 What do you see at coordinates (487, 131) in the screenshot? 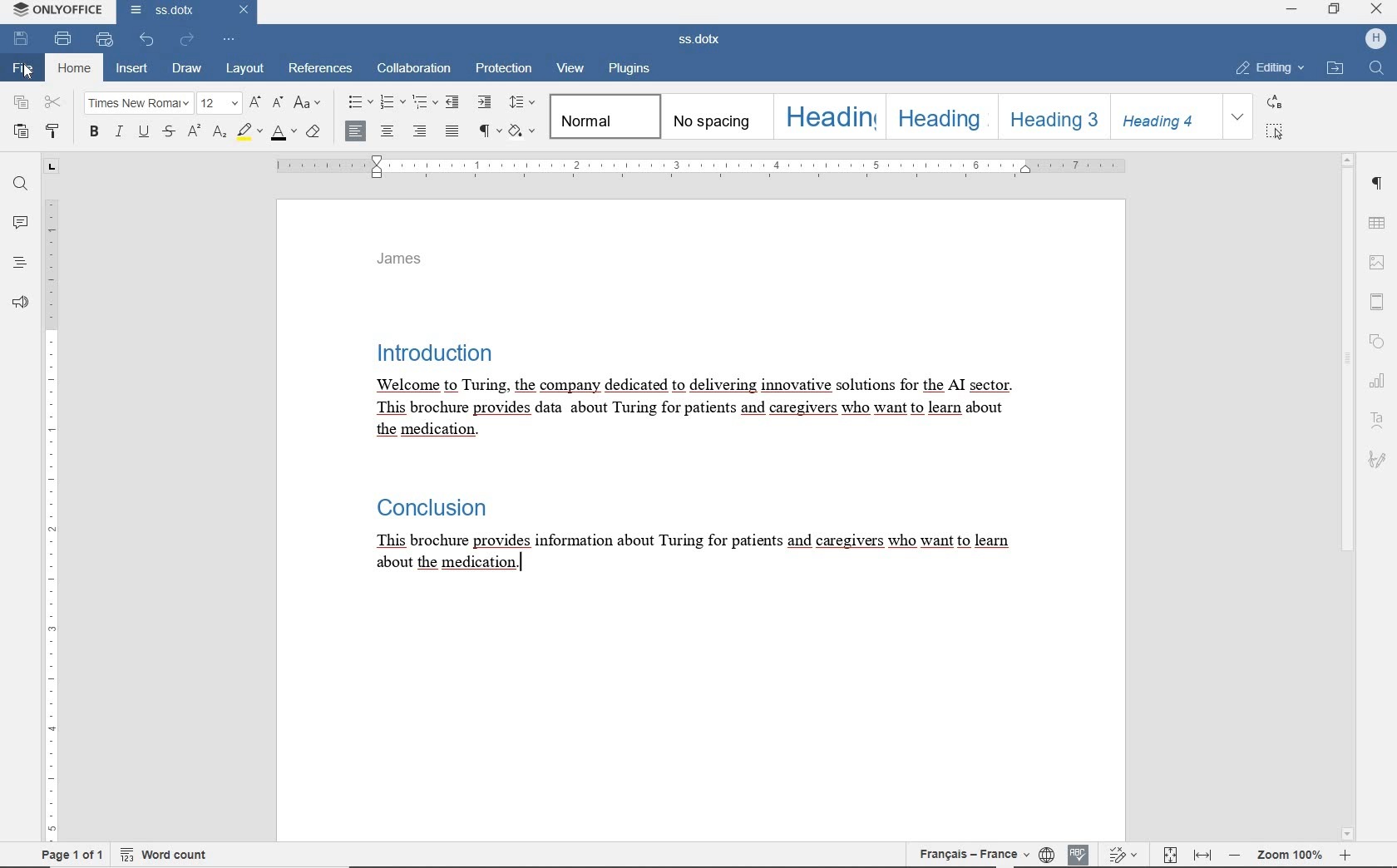
I see `NONPRINTING CHARACTERS` at bounding box center [487, 131].